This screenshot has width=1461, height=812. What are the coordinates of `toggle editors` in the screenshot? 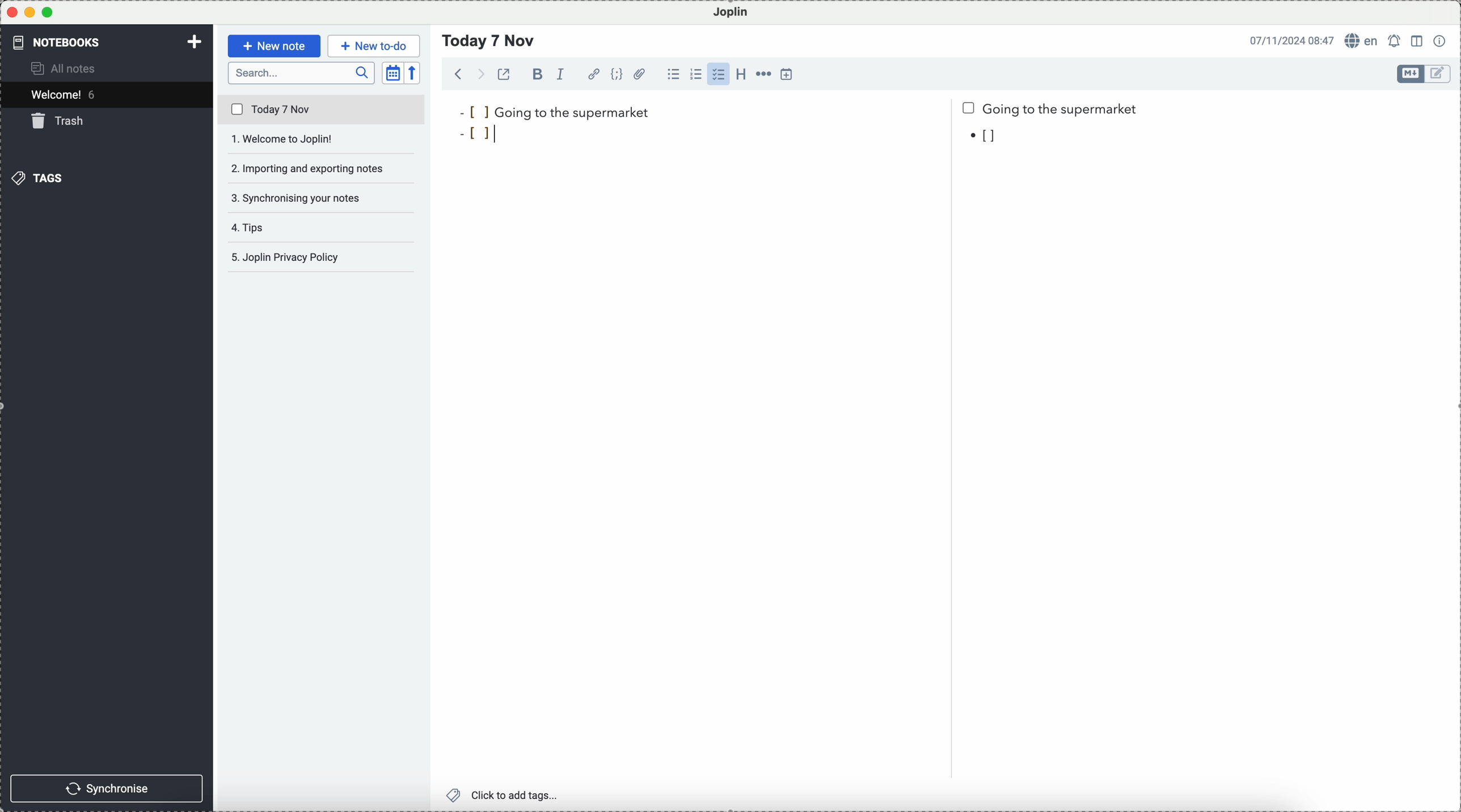 It's located at (1439, 74).